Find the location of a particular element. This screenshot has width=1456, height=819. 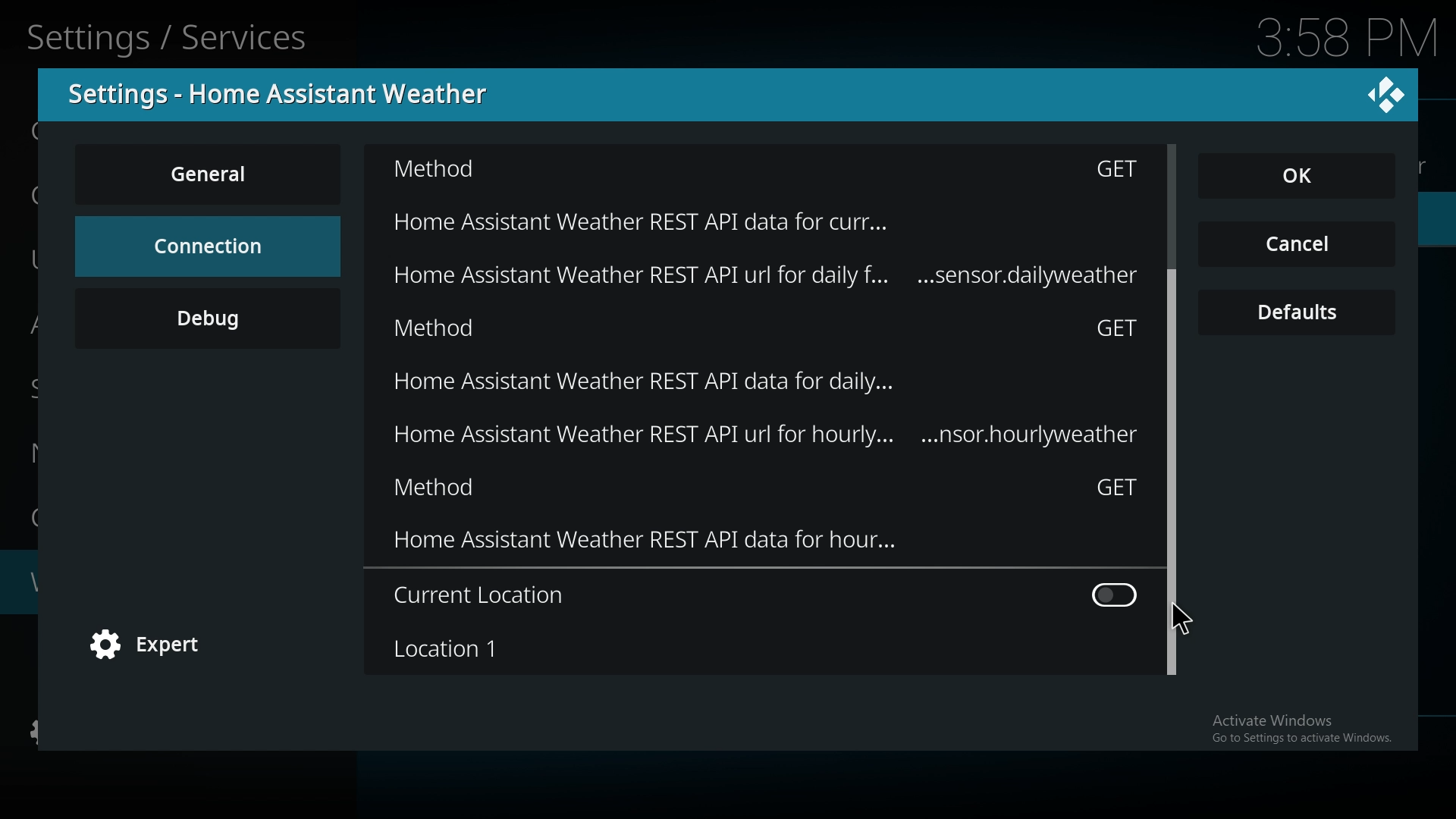

cancel is located at coordinates (1297, 246).